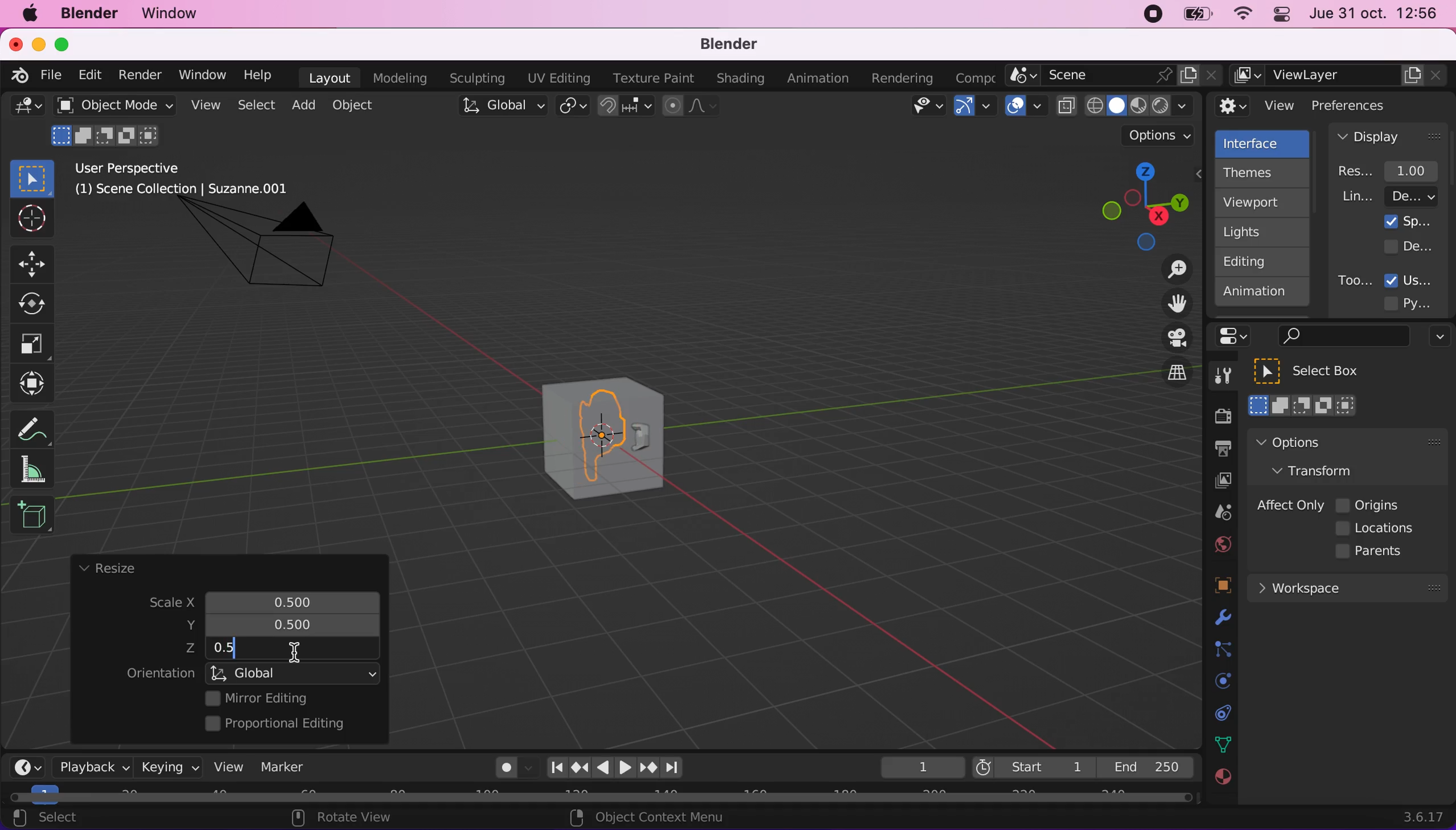 This screenshot has height=830, width=1456. I want to click on editing, so click(1257, 261).